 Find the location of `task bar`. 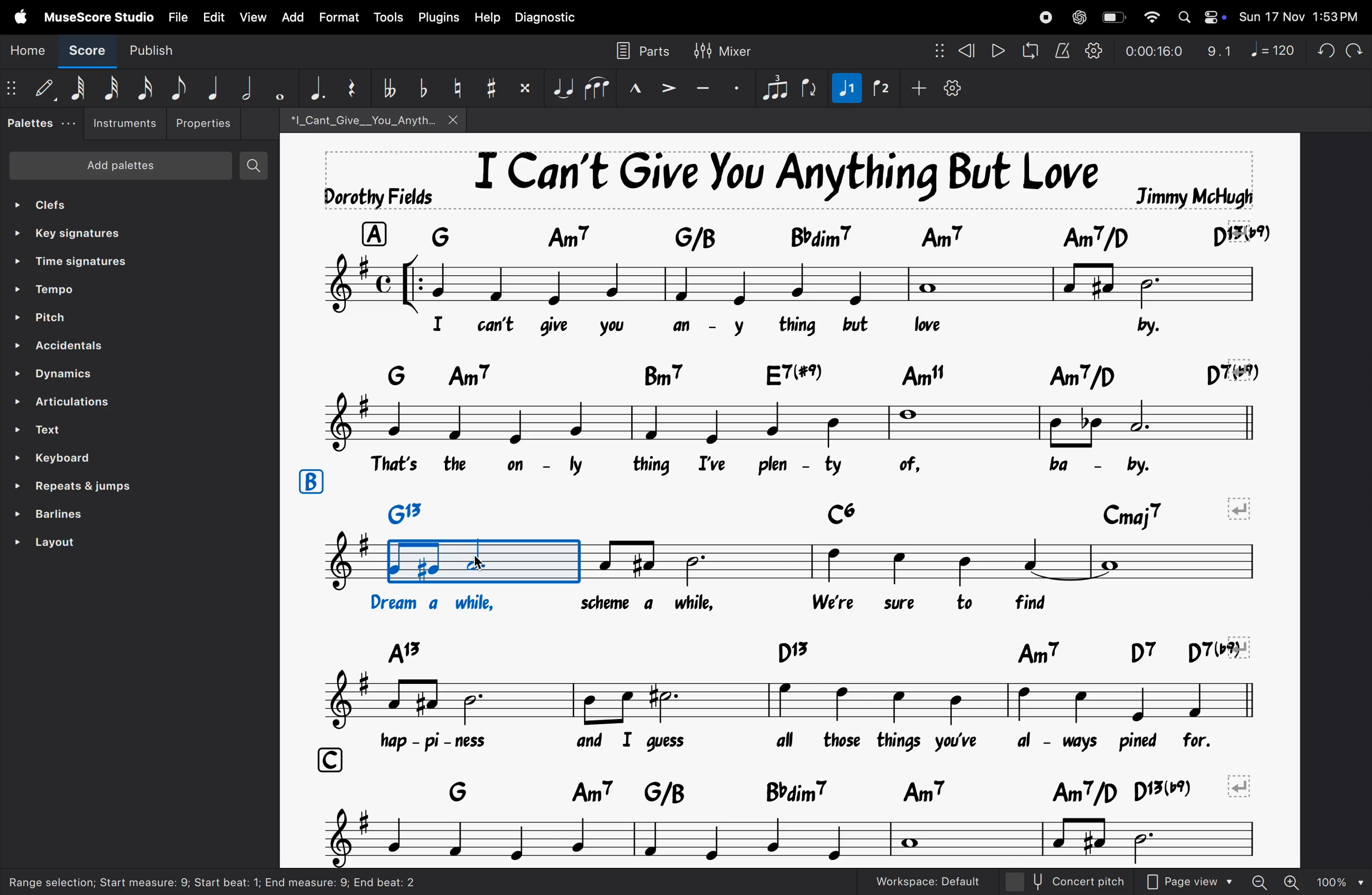

task bar is located at coordinates (292, 882).